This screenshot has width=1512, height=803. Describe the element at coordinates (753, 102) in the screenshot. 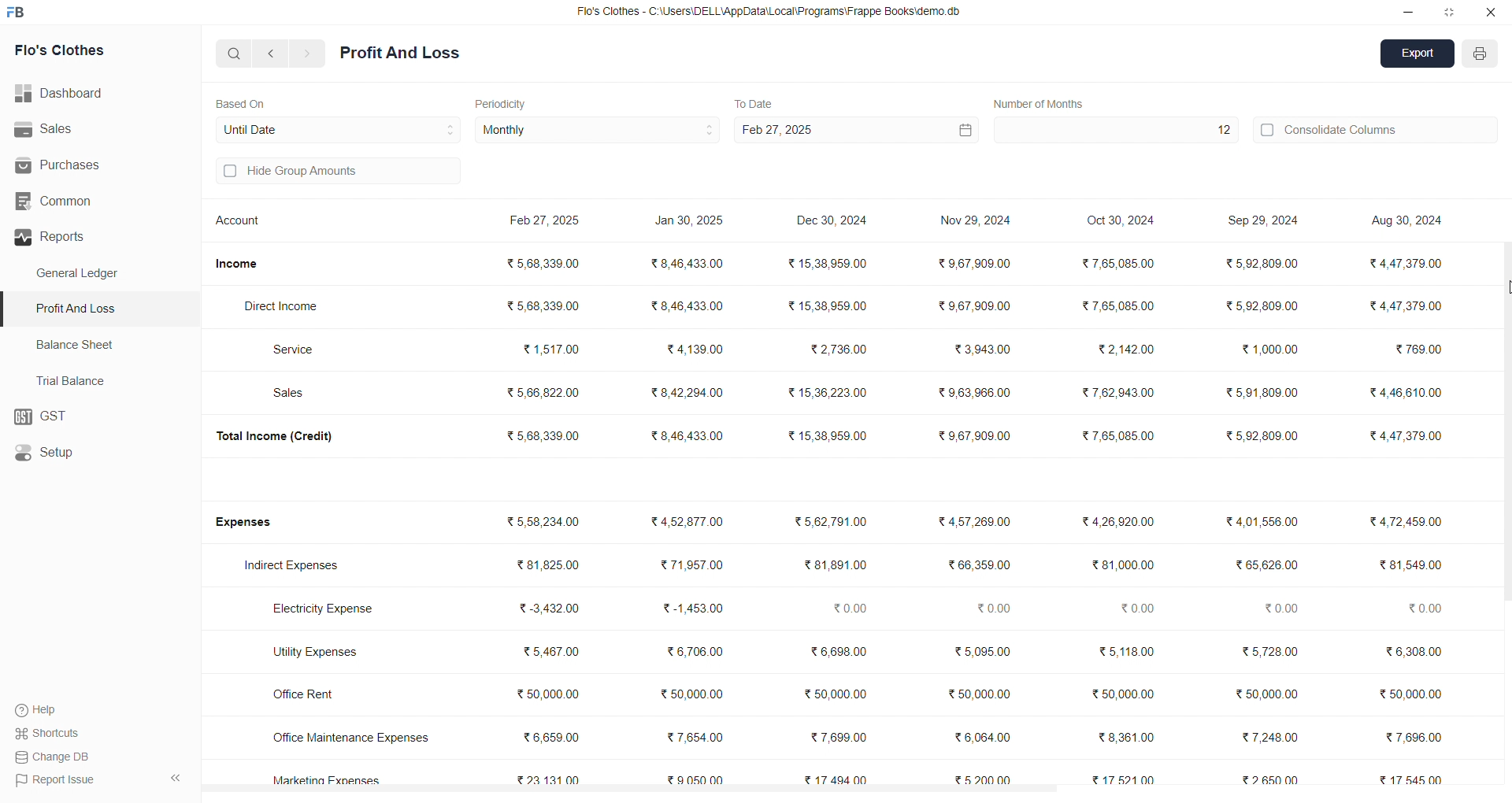

I see `To Date` at that location.